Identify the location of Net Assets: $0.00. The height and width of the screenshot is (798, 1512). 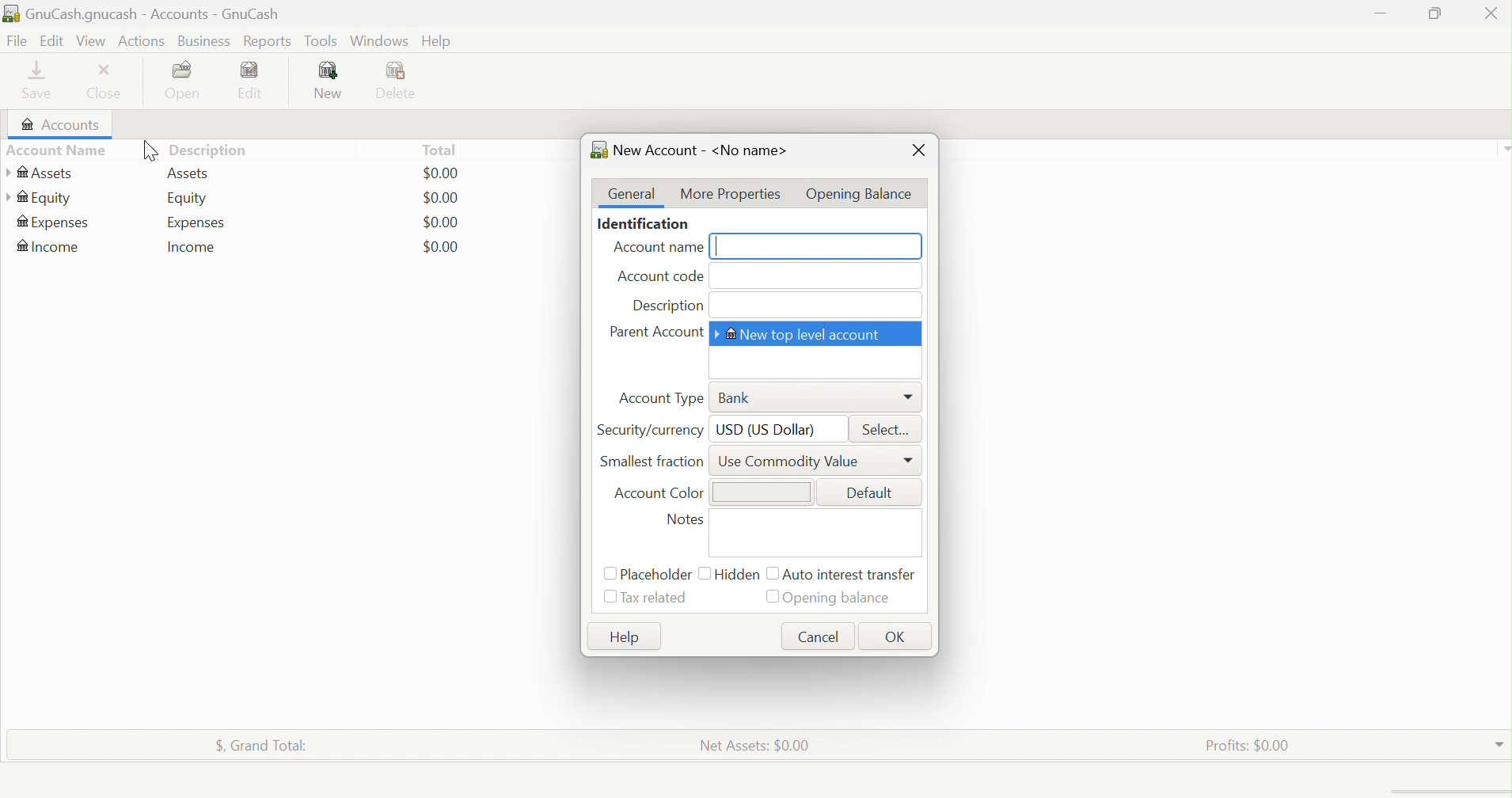
(754, 744).